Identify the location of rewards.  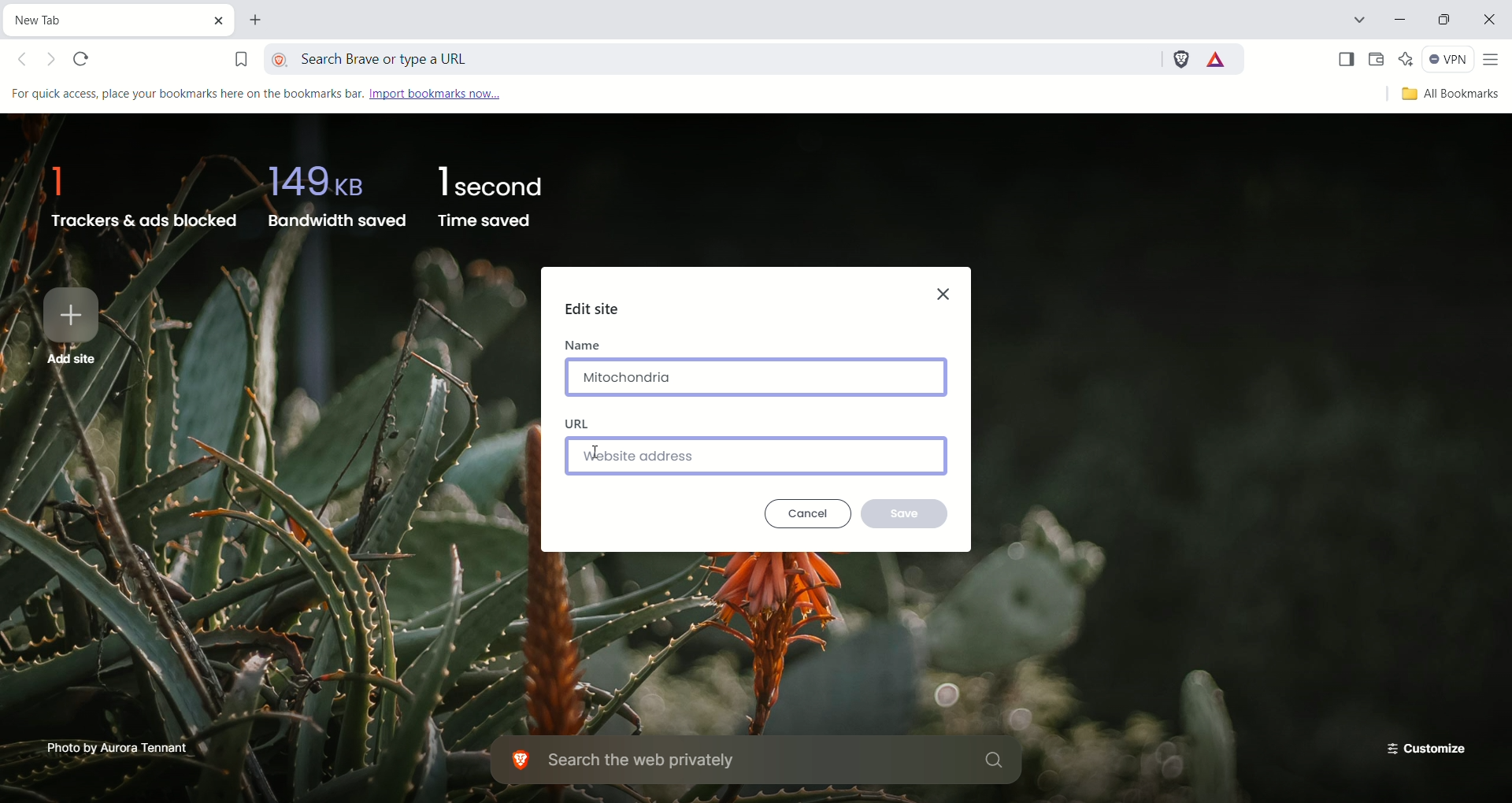
(1217, 60).